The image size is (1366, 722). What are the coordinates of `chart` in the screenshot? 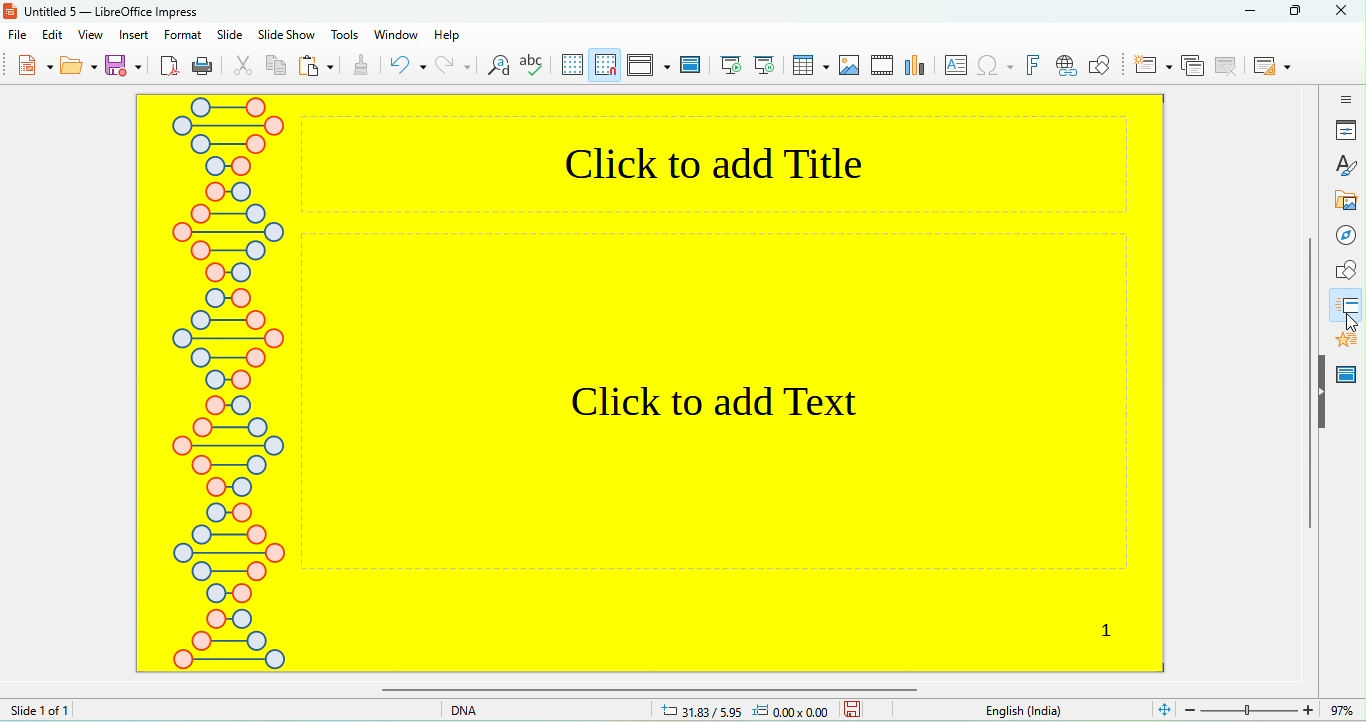 It's located at (915, 68).